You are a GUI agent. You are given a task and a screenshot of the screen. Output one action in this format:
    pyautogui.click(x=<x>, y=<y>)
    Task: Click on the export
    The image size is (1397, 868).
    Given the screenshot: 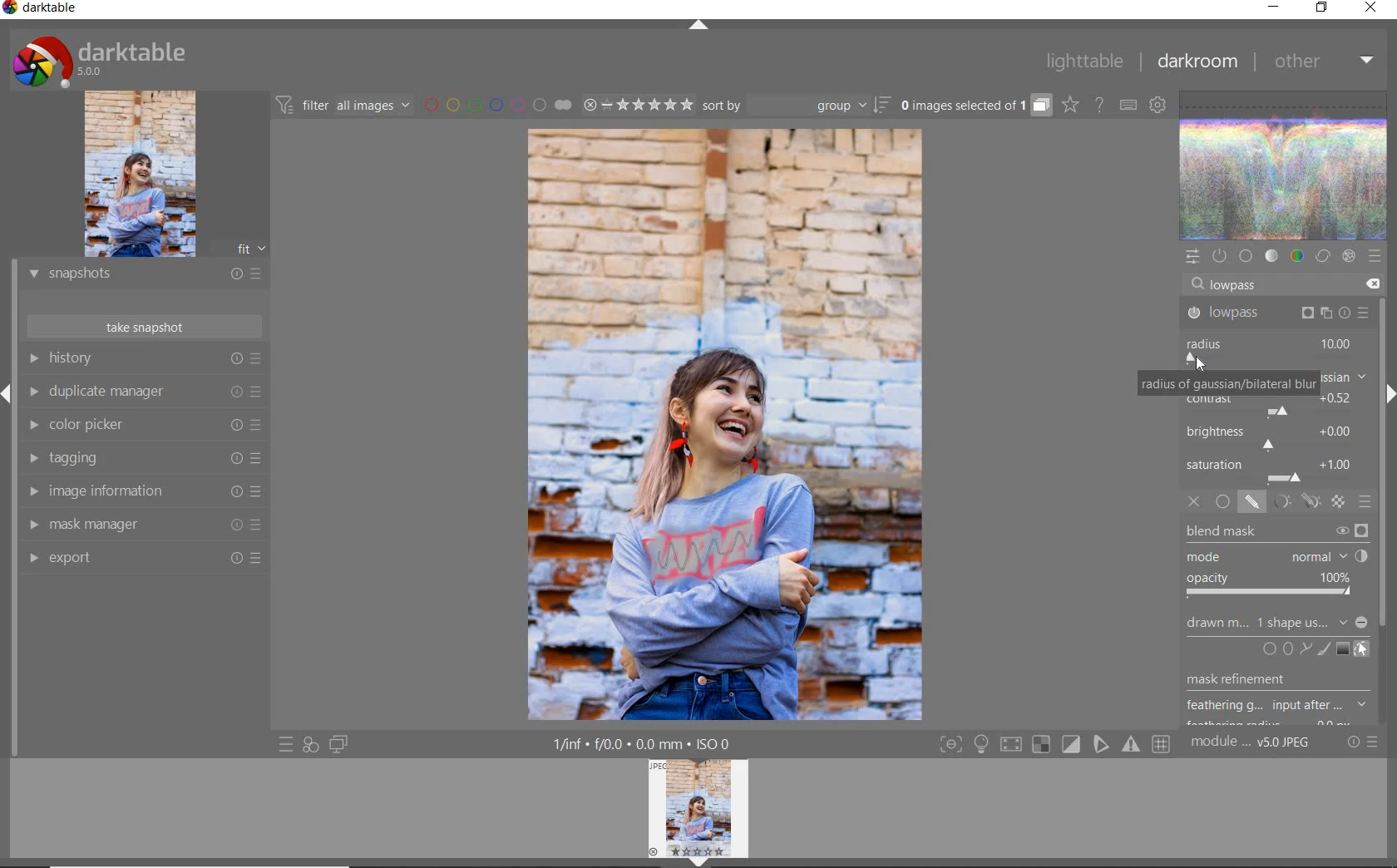 What is the action you would take?
    pyautogui.click(x=146, y=558)
    